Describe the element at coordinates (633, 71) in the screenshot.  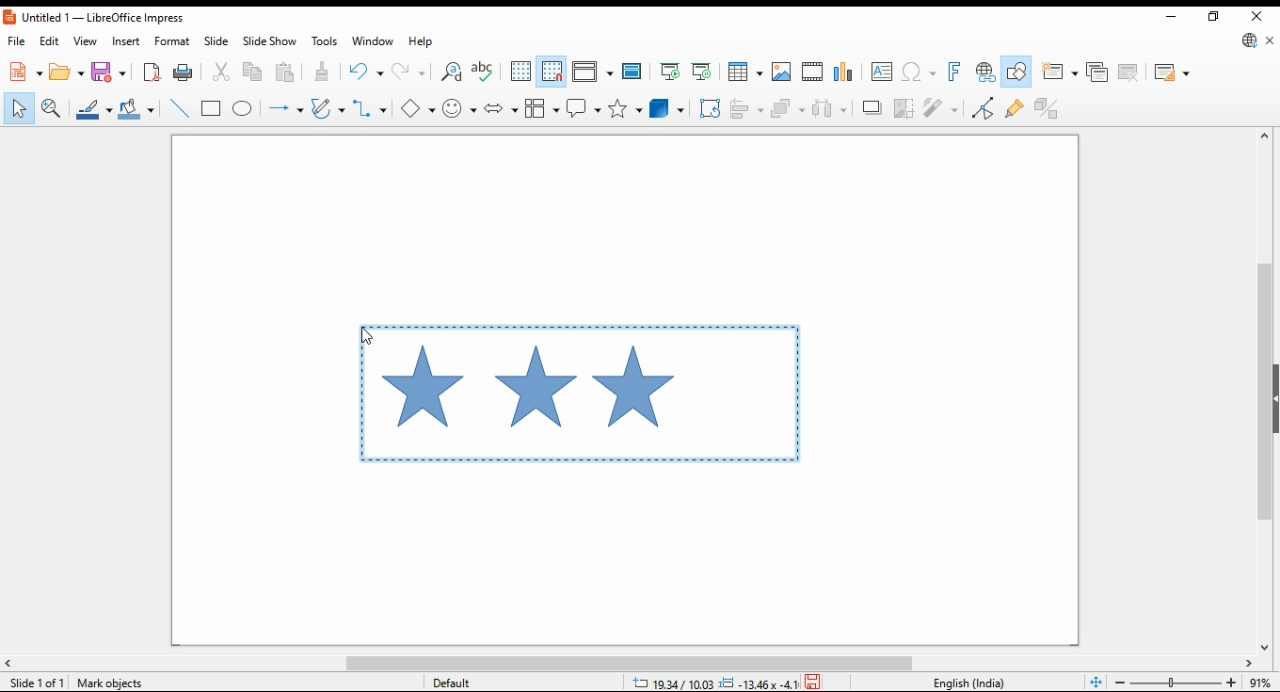
I see `master slide` at that location.